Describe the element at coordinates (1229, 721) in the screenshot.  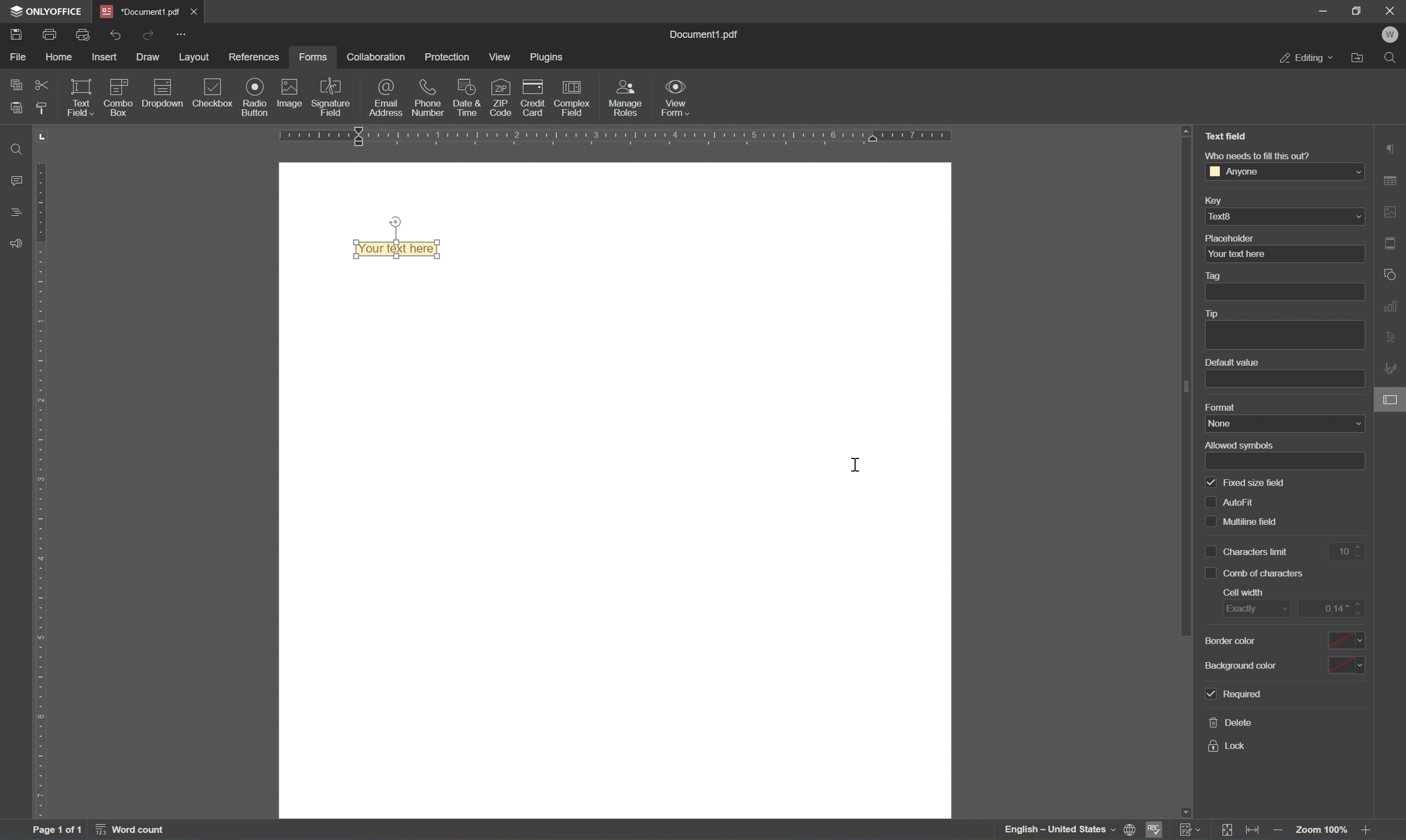
I see `delete` at that location.